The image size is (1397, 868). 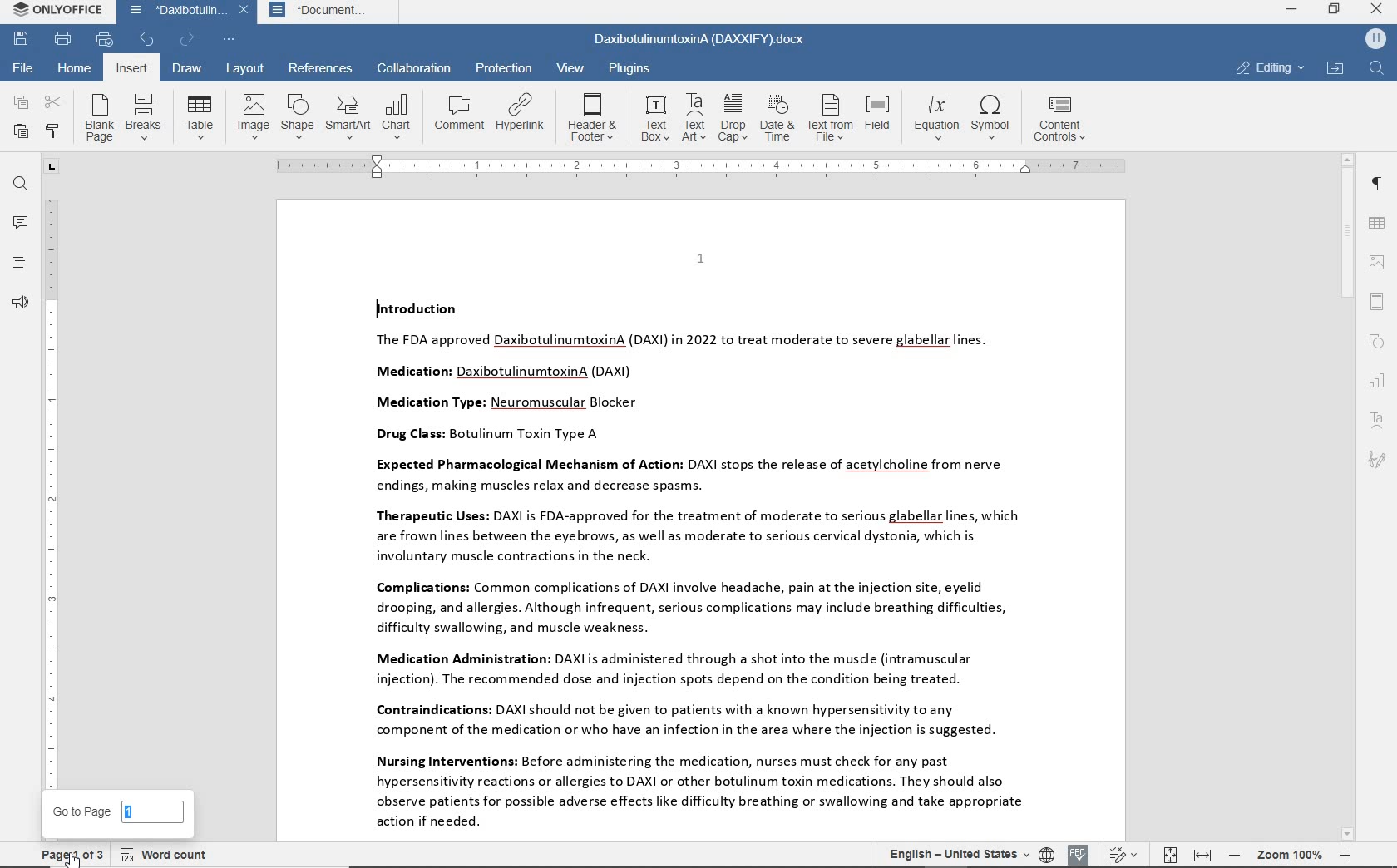 What do you see at coordinates (1375, 40) in the screenshot?
I see `hp` at bounding box center [1375, 40].